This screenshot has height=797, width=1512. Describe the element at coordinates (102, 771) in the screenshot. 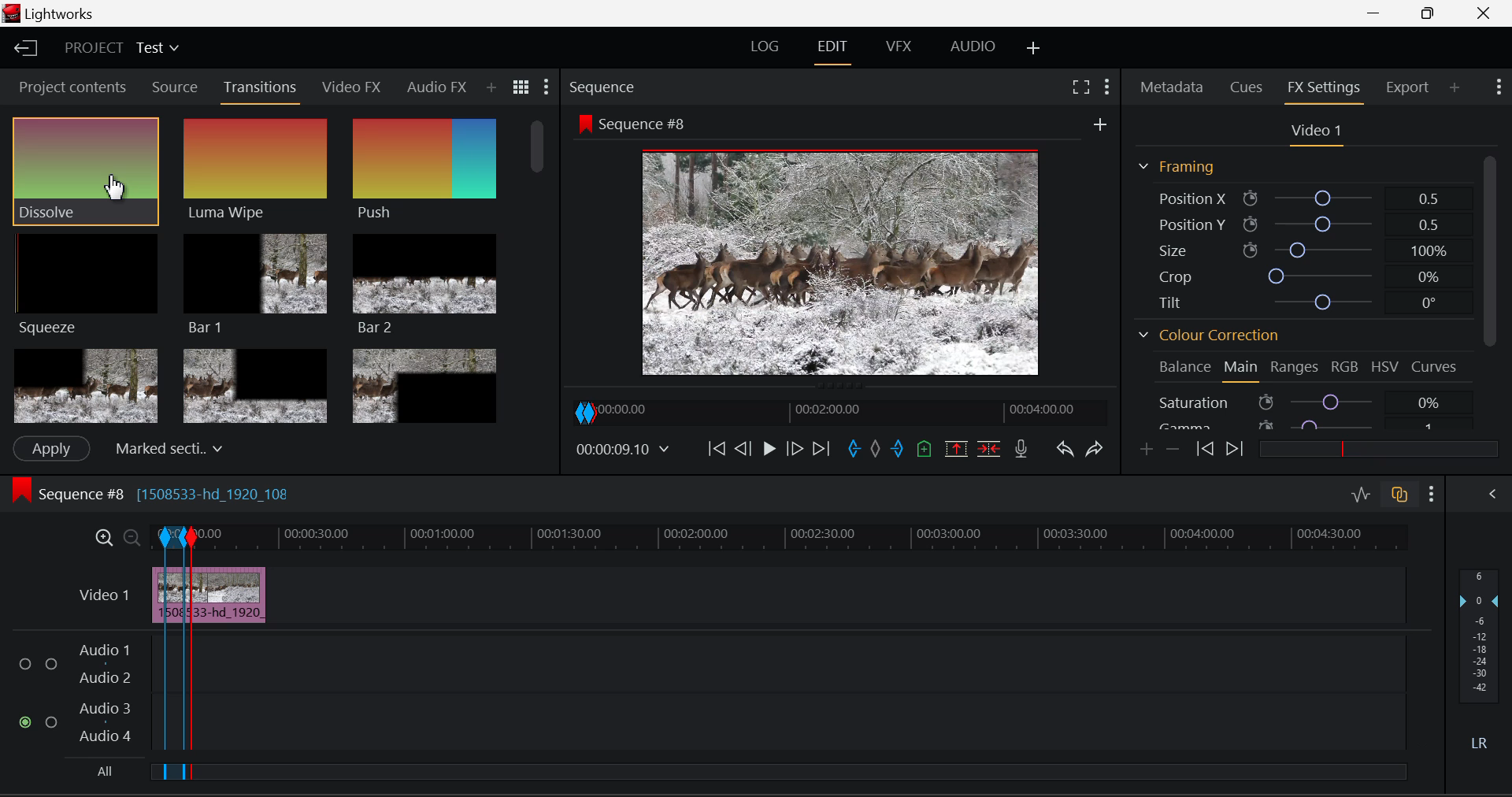

I see `All` at that location.